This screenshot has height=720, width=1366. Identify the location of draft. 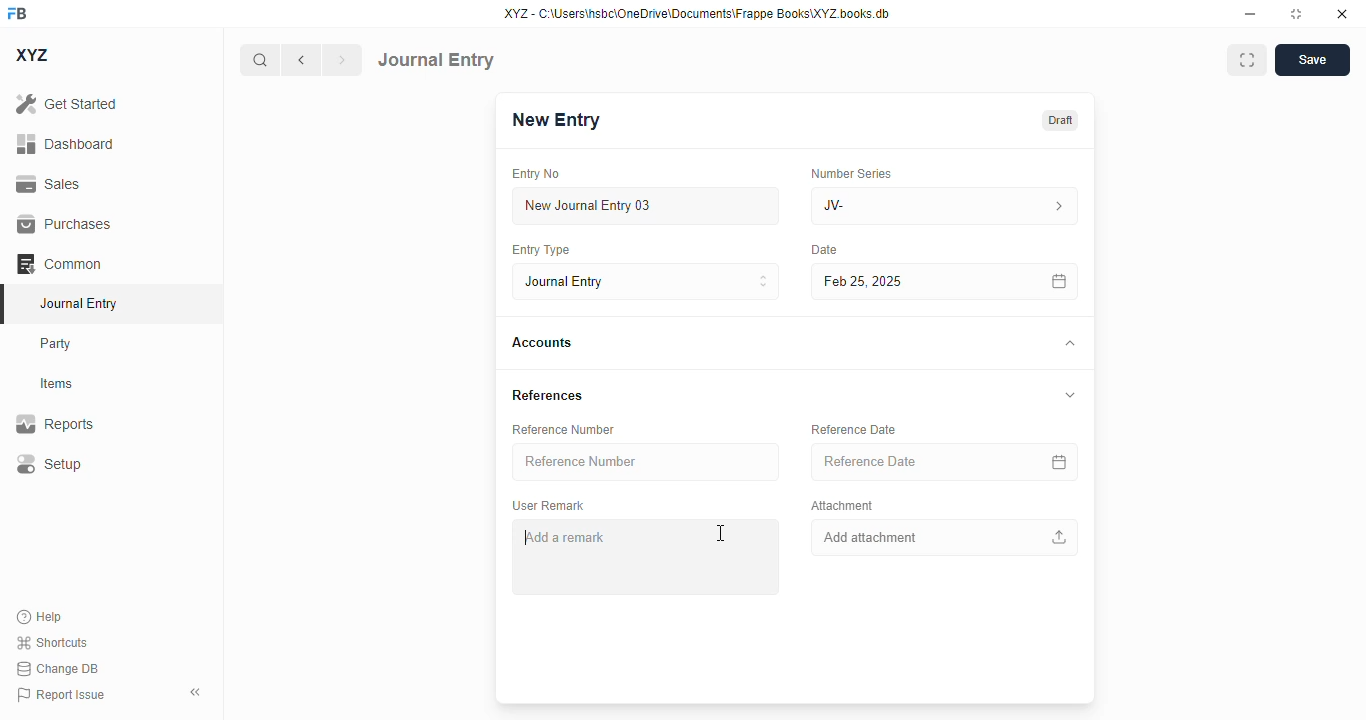
(1061, 121).